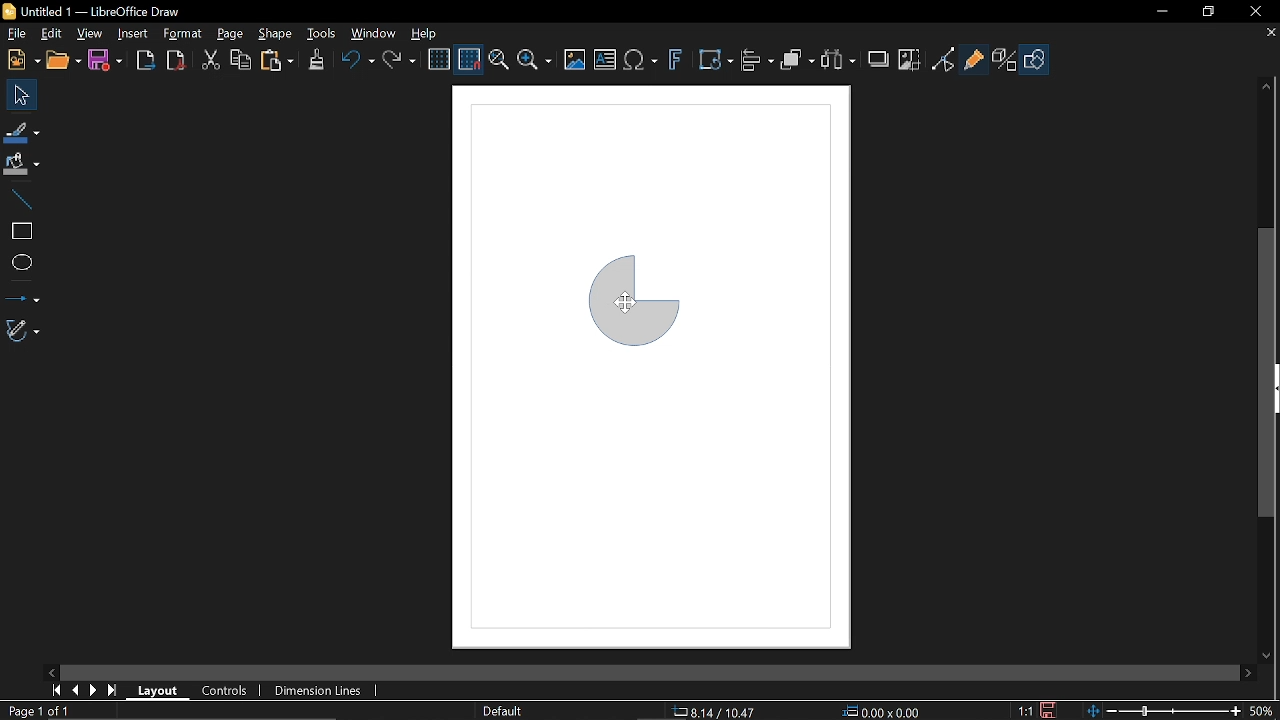 The width and height of the screenshot is (1280, 720). I want to click on 1:1 (Scaling factor), so click(1027, 711).